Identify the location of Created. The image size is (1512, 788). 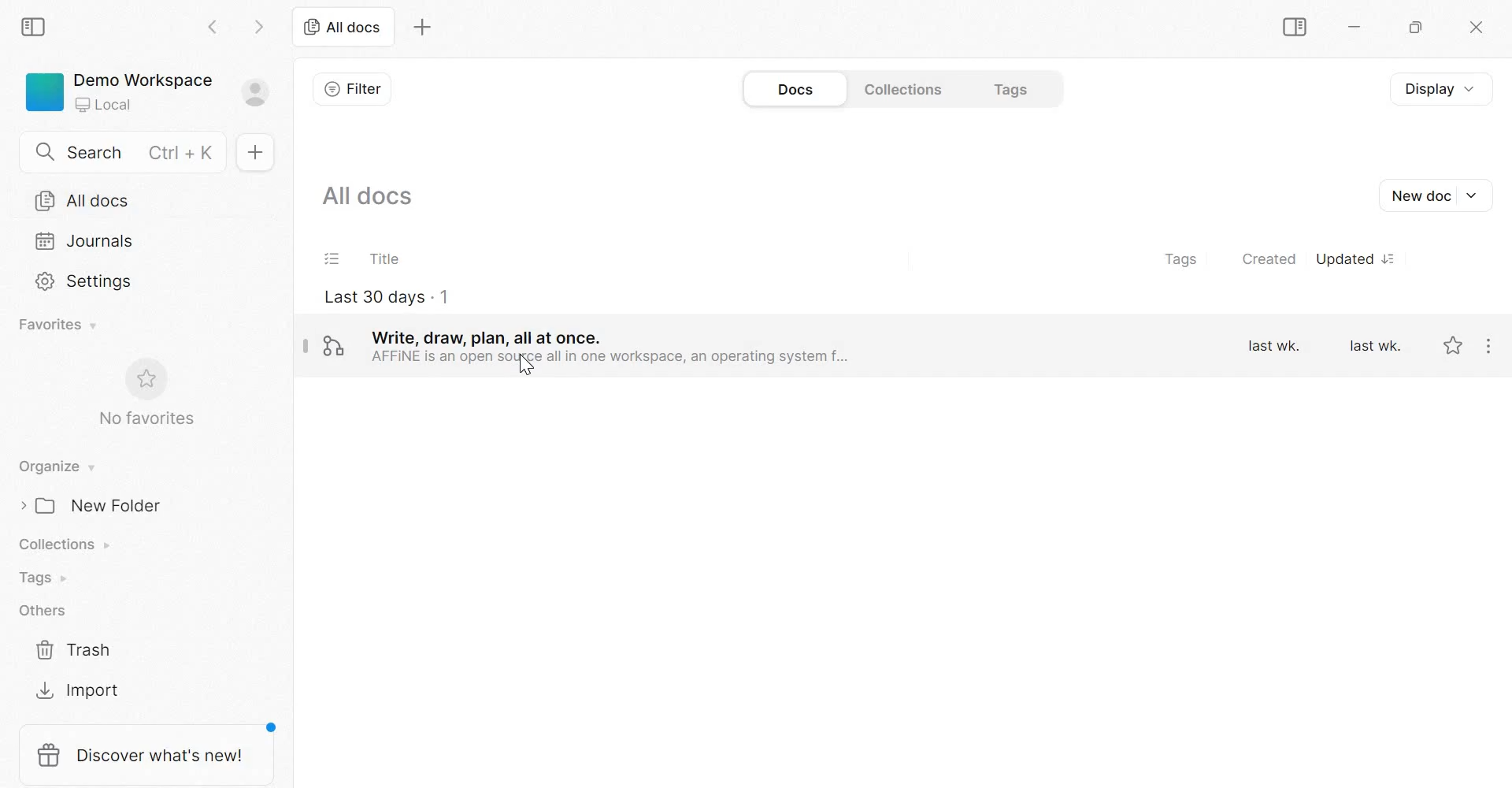
(1269, 259).